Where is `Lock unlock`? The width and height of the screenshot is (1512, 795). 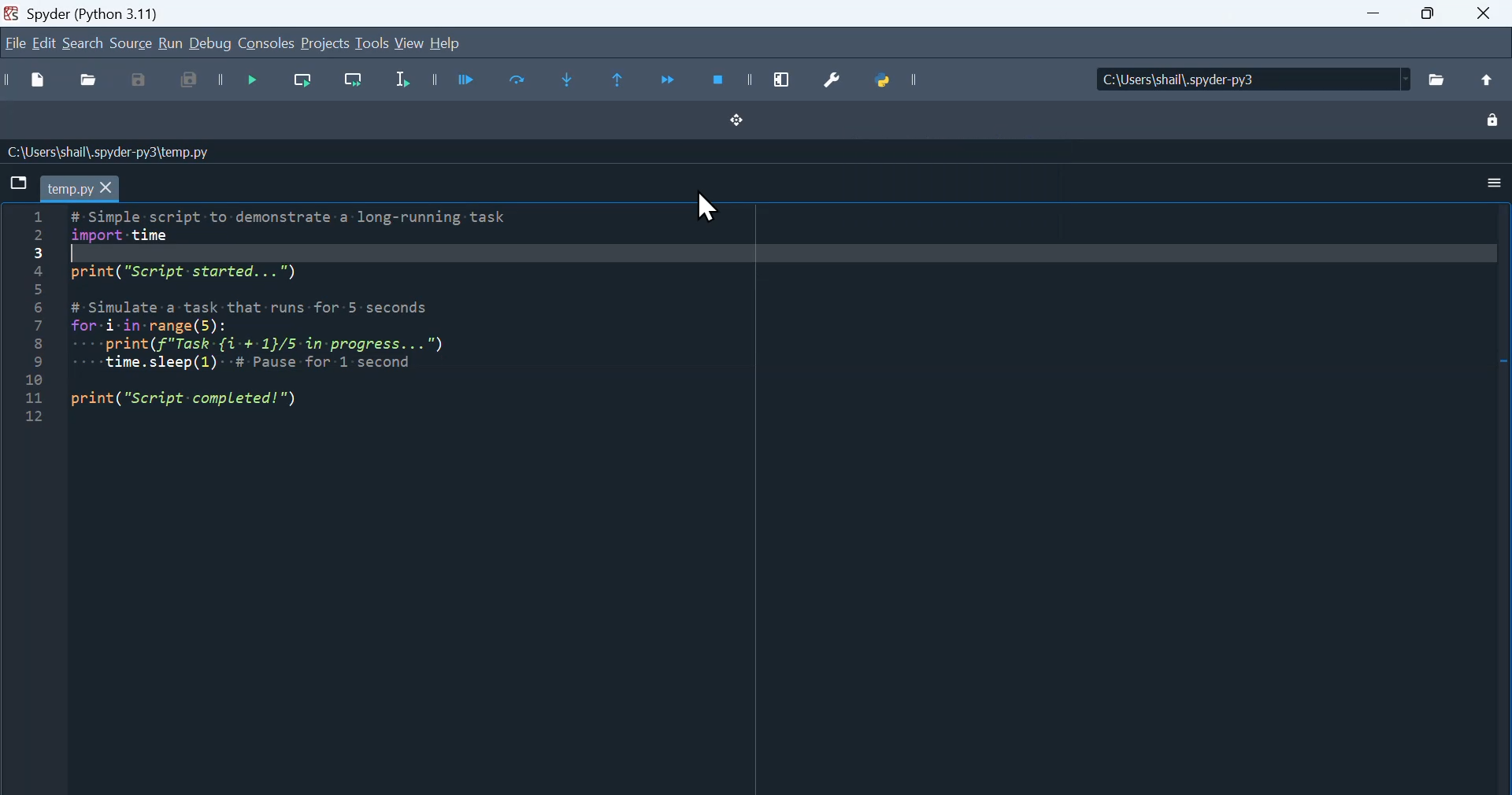 Lock unlock is located at coordinates (1492, 122).